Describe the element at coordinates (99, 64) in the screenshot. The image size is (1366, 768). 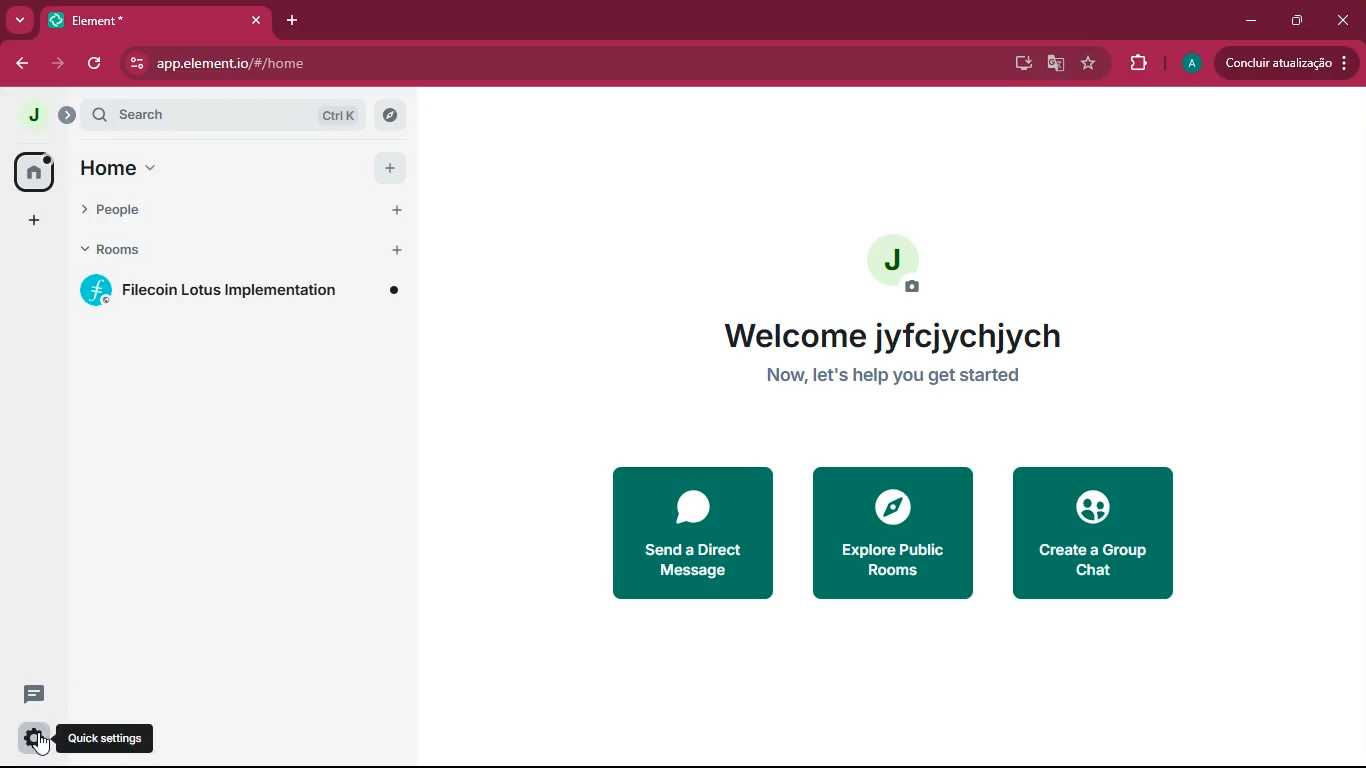
I see `refresh` at that location.